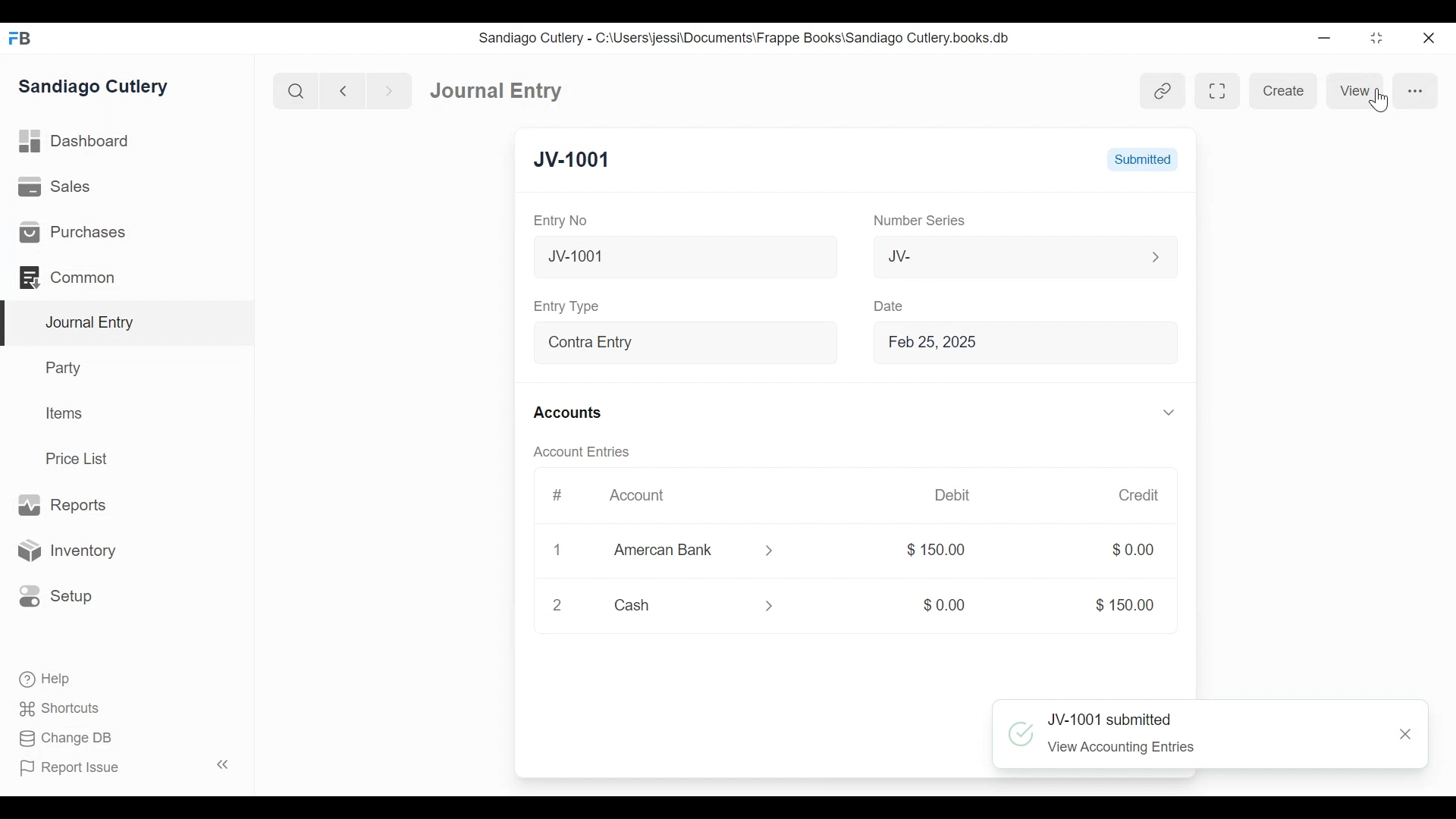 This screenshot has width=1456, height=819. Describe the element at coordinates (127, 767) in the screenshot. I see `Report Issue` at that location.